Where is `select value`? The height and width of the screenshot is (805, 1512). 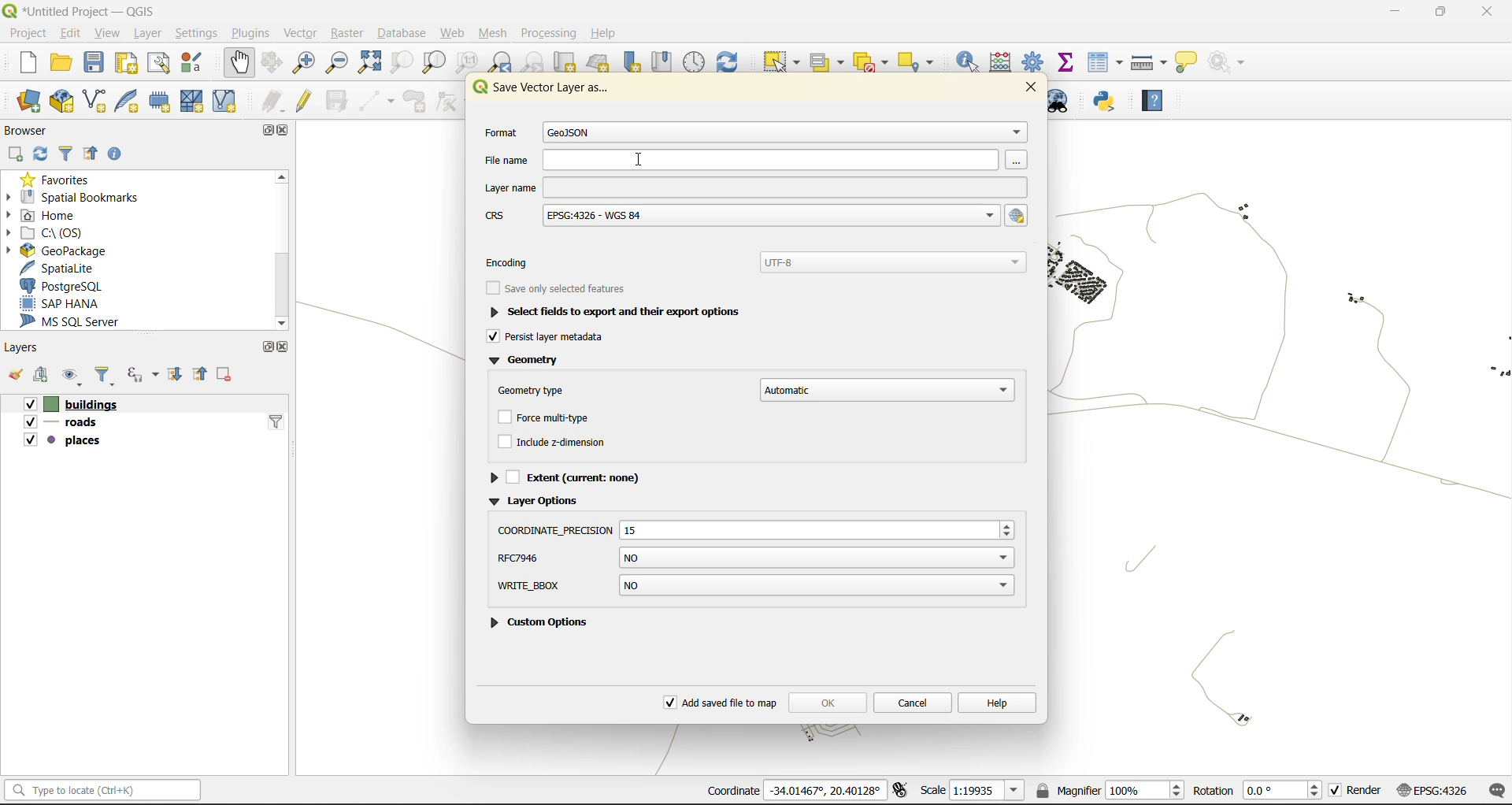 select value is located at coordinates (828, 62).